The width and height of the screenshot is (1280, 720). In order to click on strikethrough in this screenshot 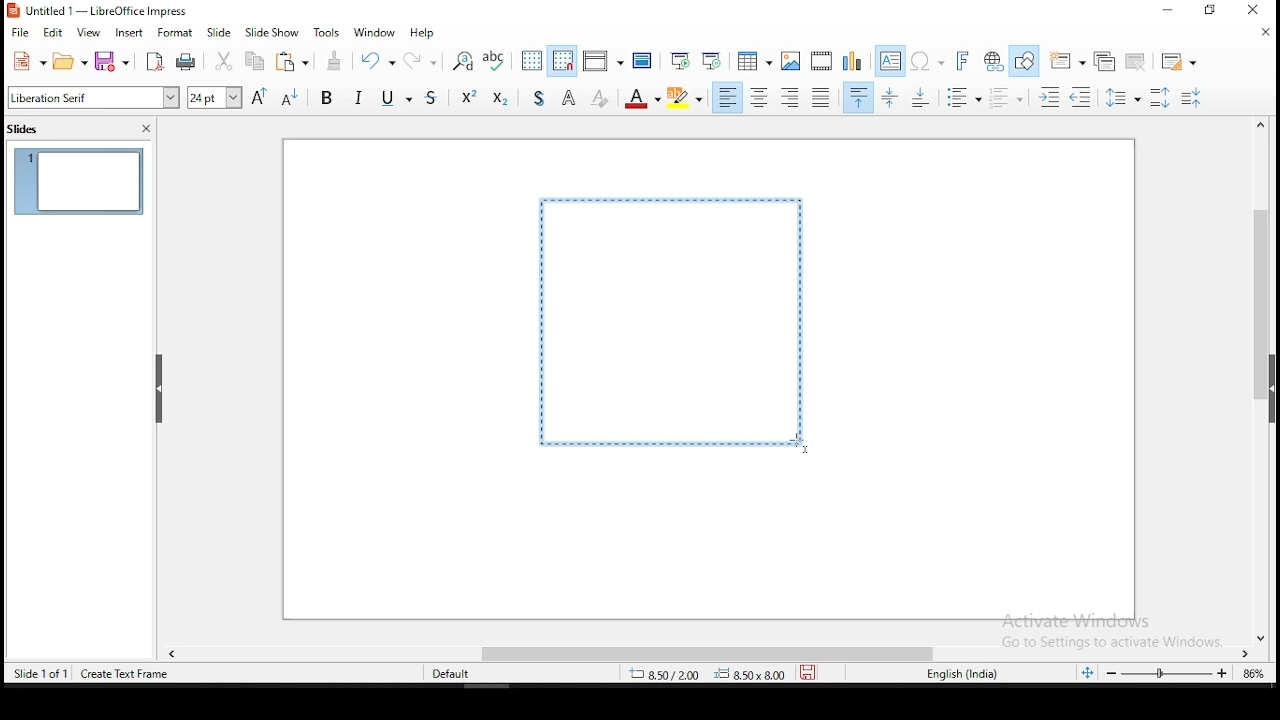, I will do `click(421, 99)`.